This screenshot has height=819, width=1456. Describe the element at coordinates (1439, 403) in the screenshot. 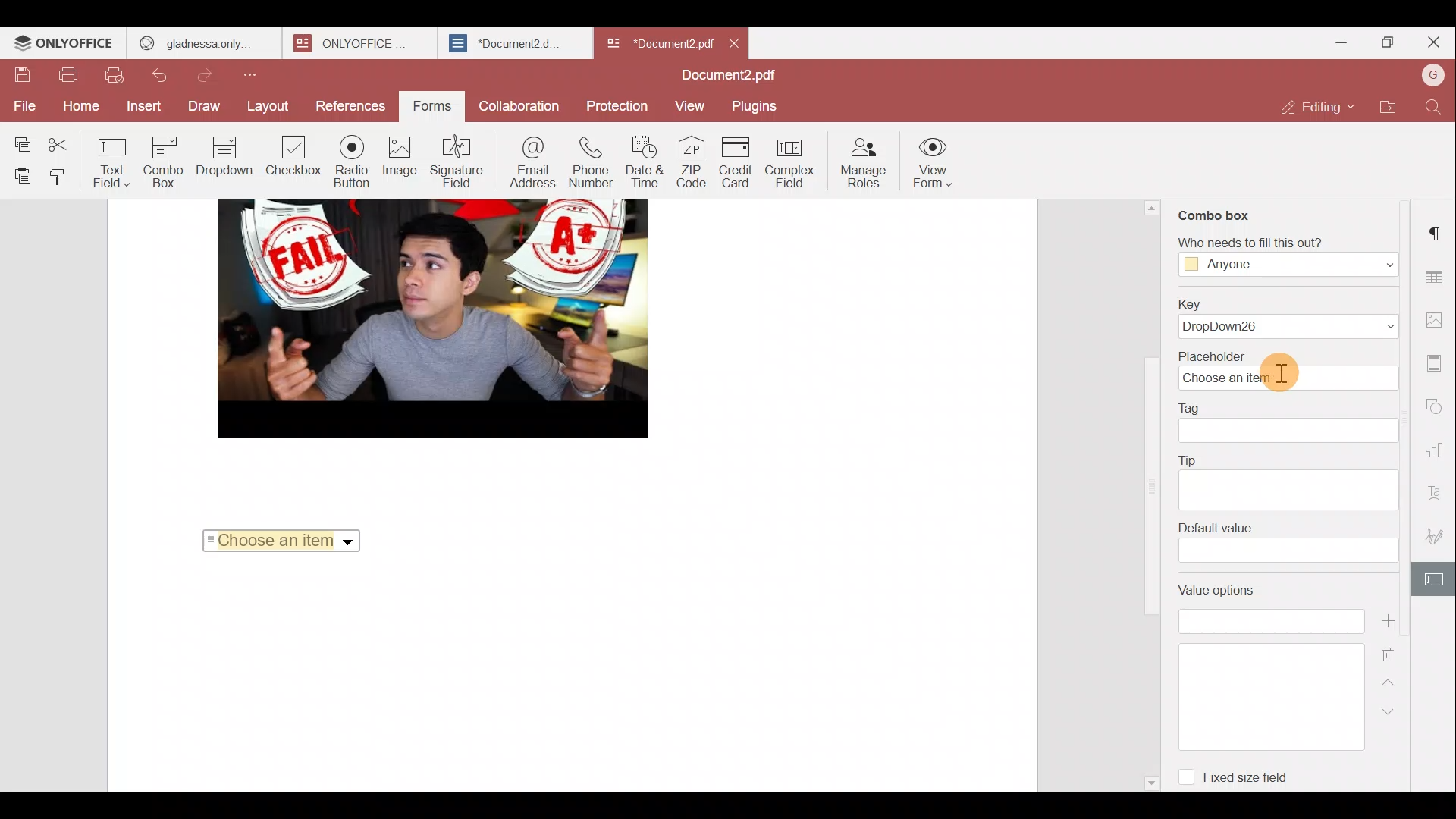

I see `Shapes settings` at that location.